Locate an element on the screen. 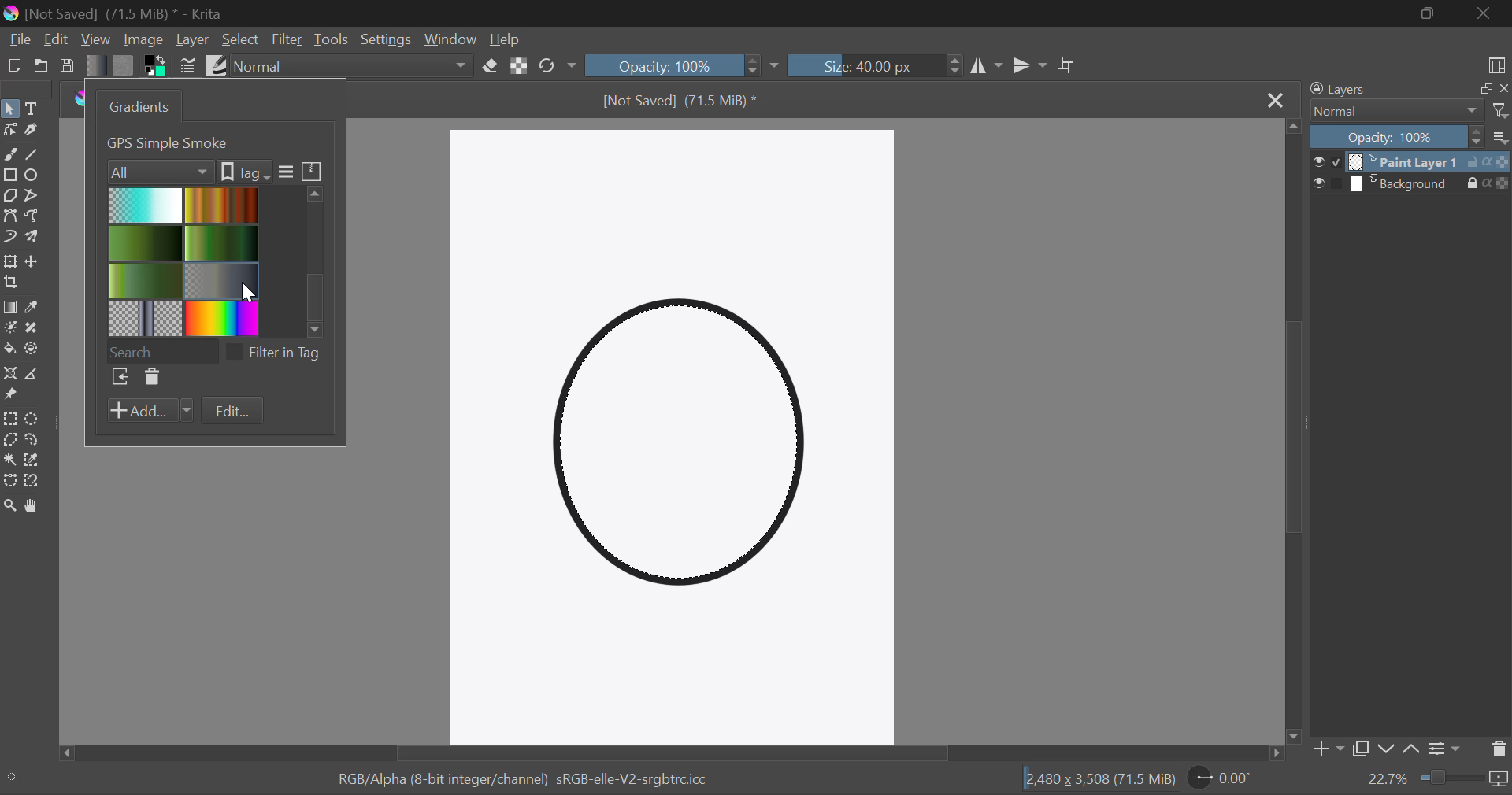 The image size is (1512, 795). checkbox is located at coordinates (1329, 183).